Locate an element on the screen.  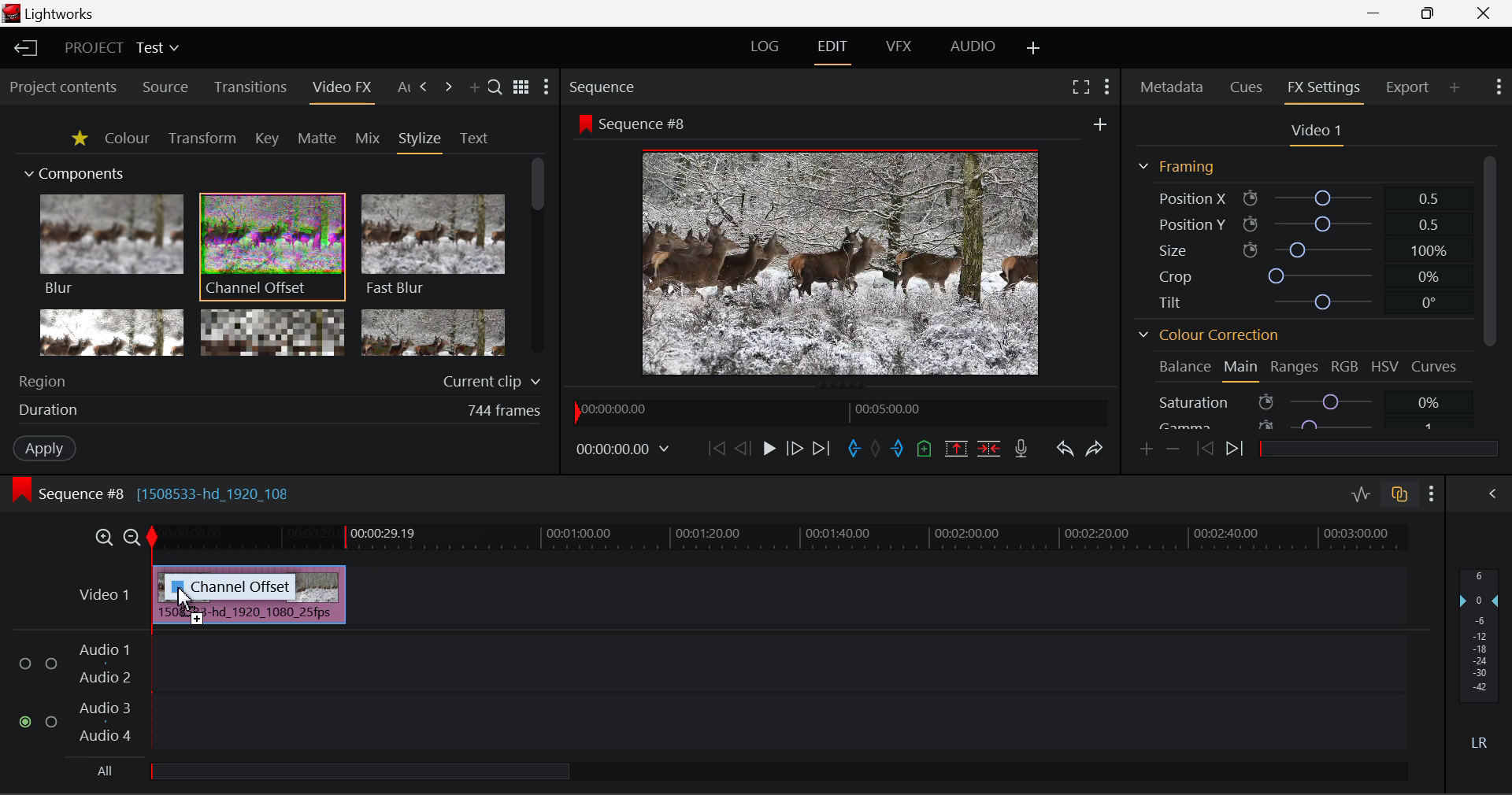
Mark Cue is located at coordinates (925, 447).